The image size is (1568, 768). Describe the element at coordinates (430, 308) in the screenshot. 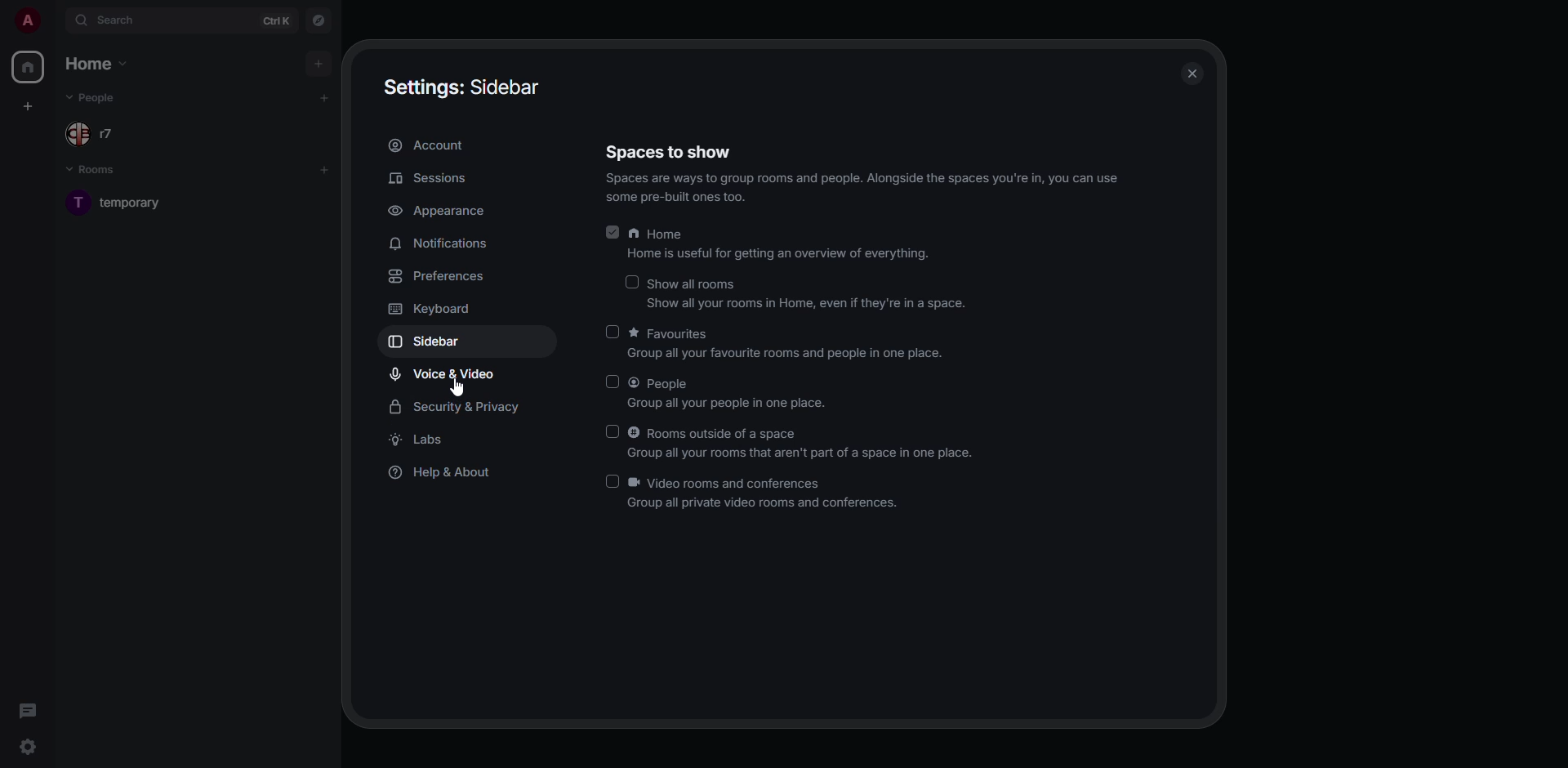

I see `keyboard` at that location.